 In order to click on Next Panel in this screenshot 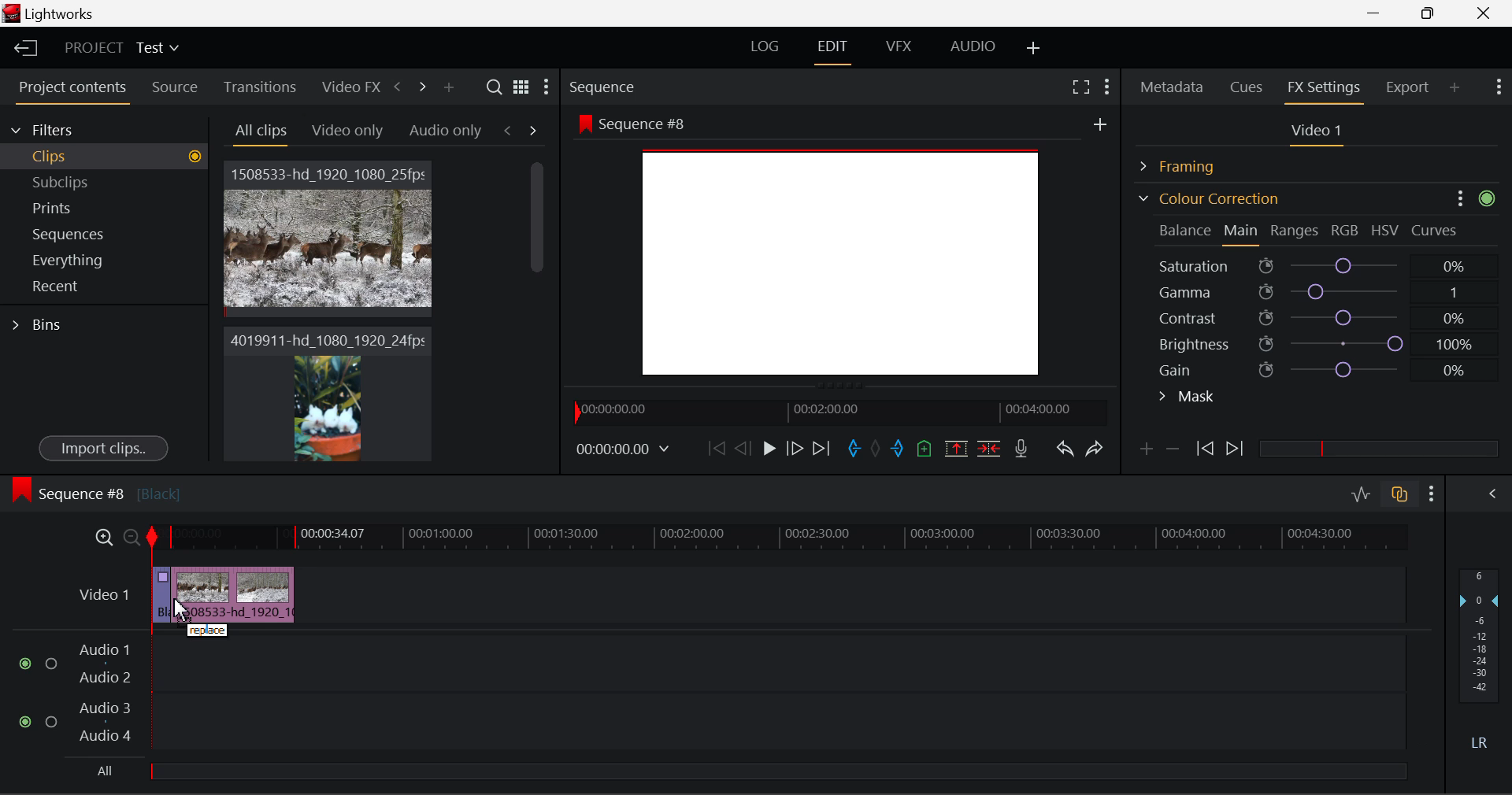, I will do `click(420, 86)`.